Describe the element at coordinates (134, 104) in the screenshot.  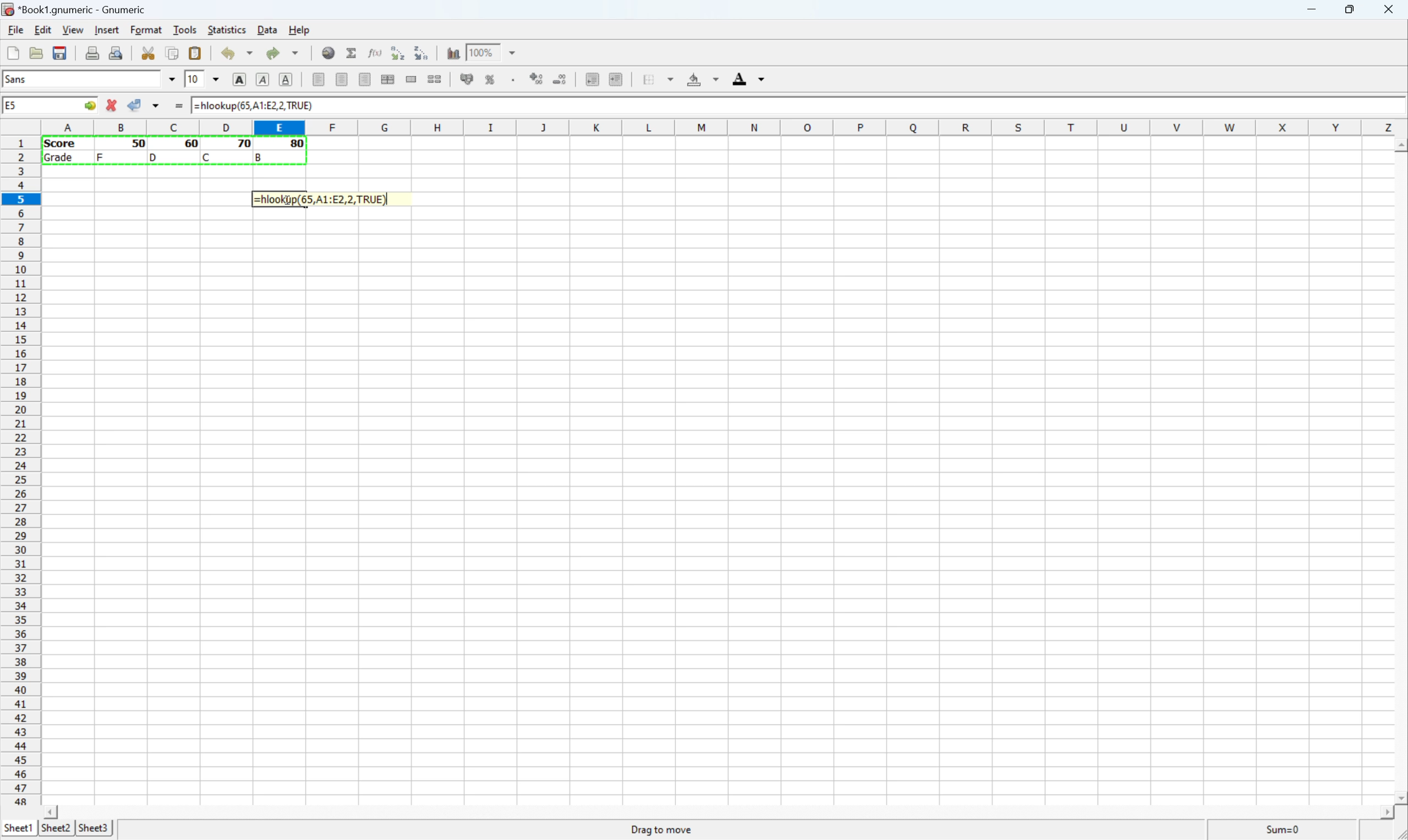
I see `Accept change` at that location.